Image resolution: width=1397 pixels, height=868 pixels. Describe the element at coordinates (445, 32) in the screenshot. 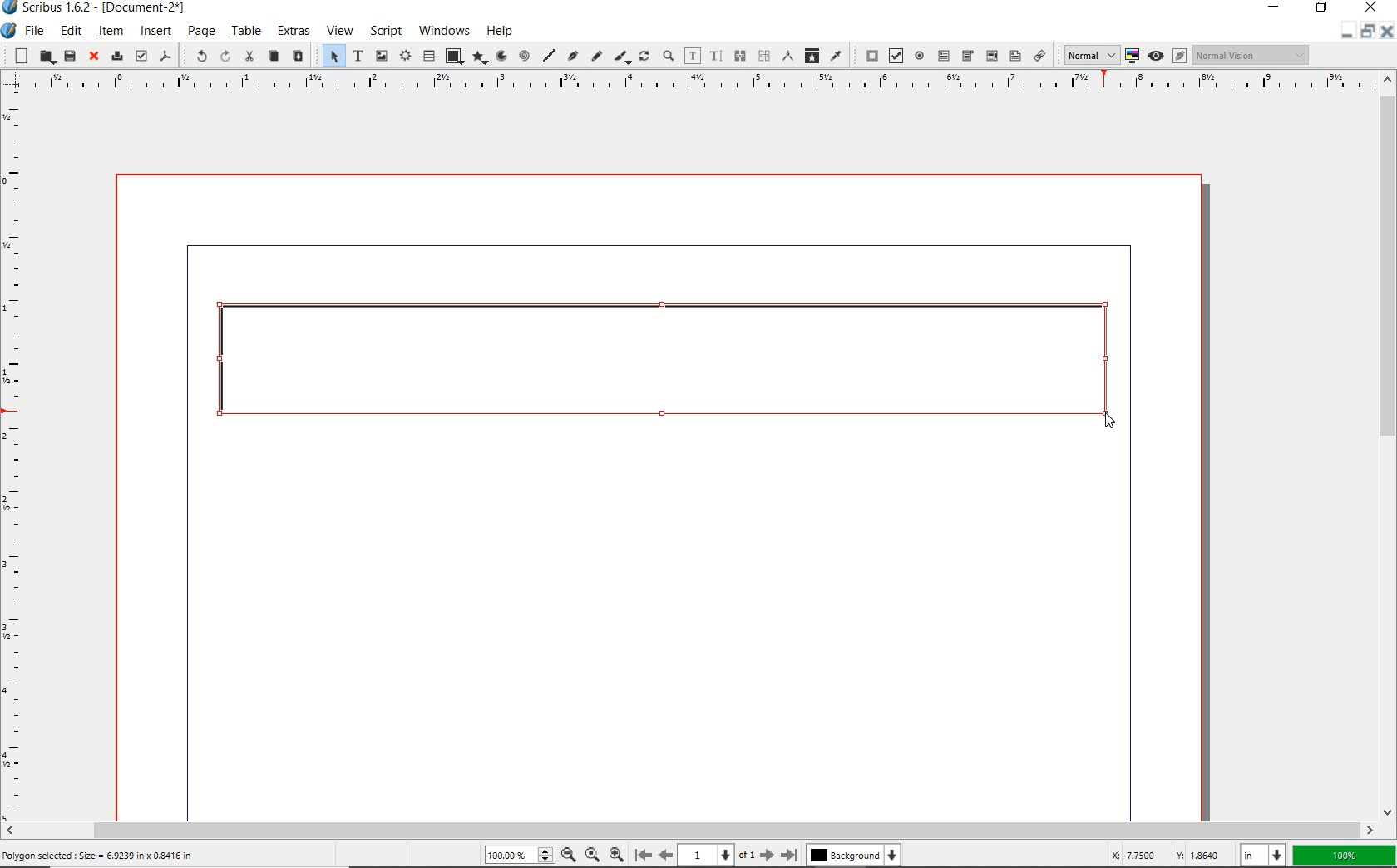

I see `windows` at that location.